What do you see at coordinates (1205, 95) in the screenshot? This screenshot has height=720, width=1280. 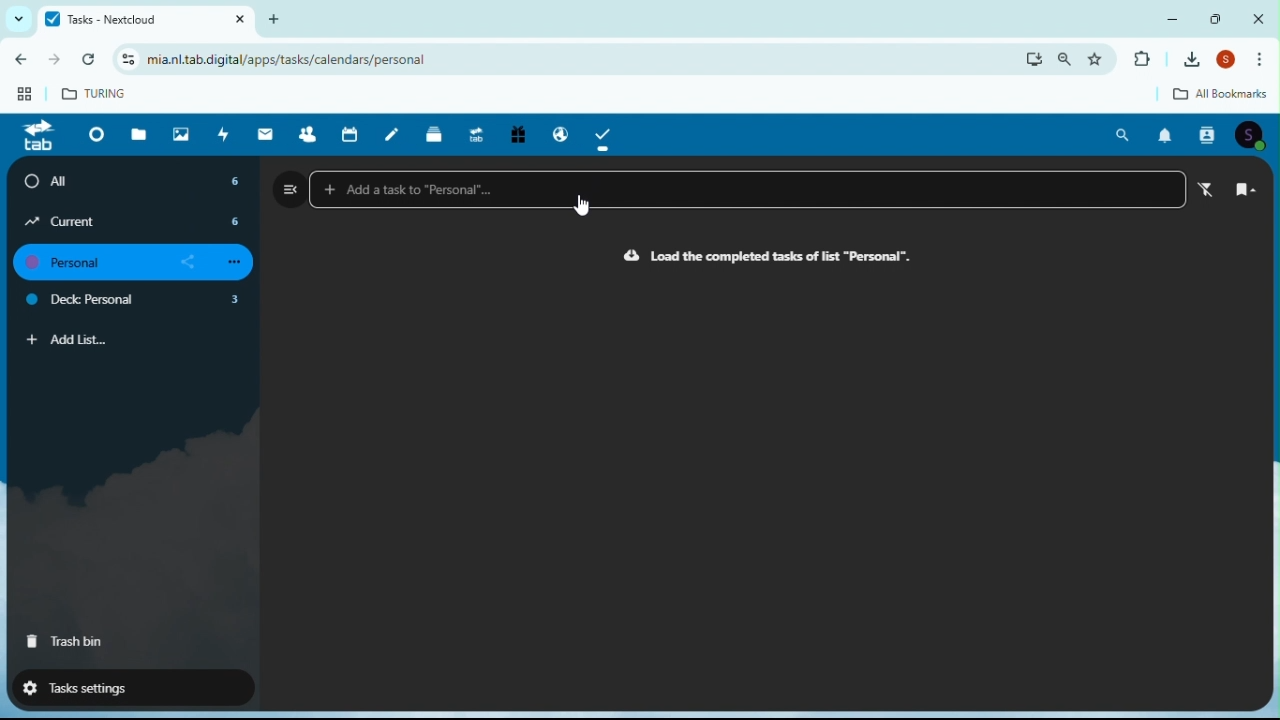 I see `all bookmarks` at bounding box center [1205, 95].